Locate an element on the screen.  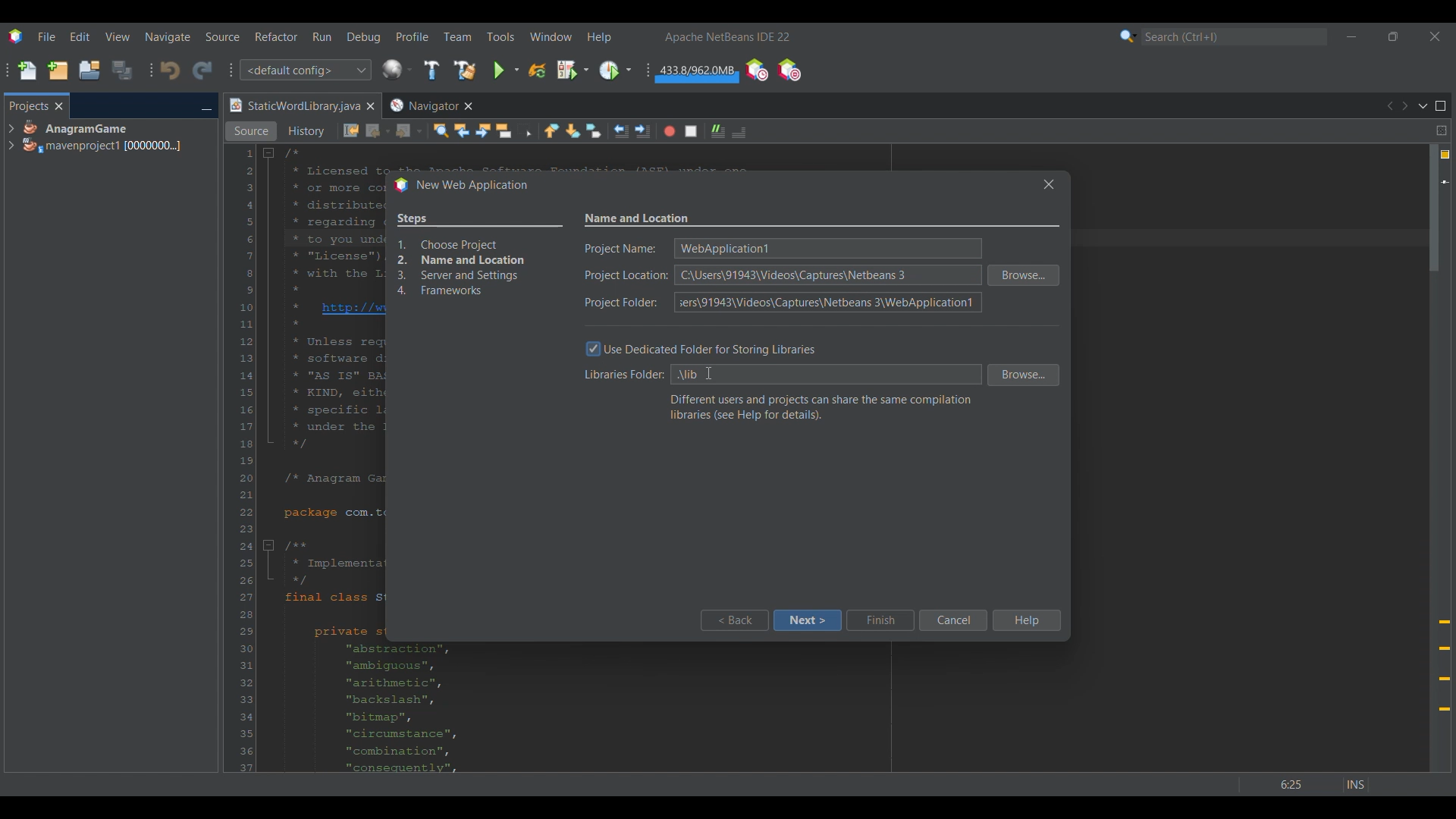
Close tab is located at coordinates (59, 106).